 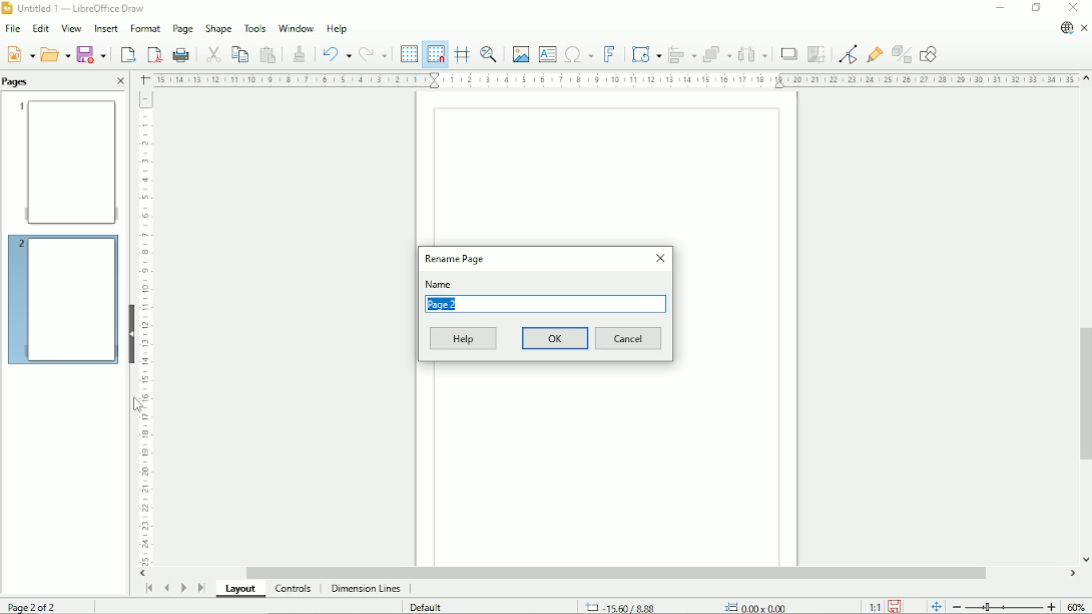 I want to click on Format, so click(x=144, y=29).